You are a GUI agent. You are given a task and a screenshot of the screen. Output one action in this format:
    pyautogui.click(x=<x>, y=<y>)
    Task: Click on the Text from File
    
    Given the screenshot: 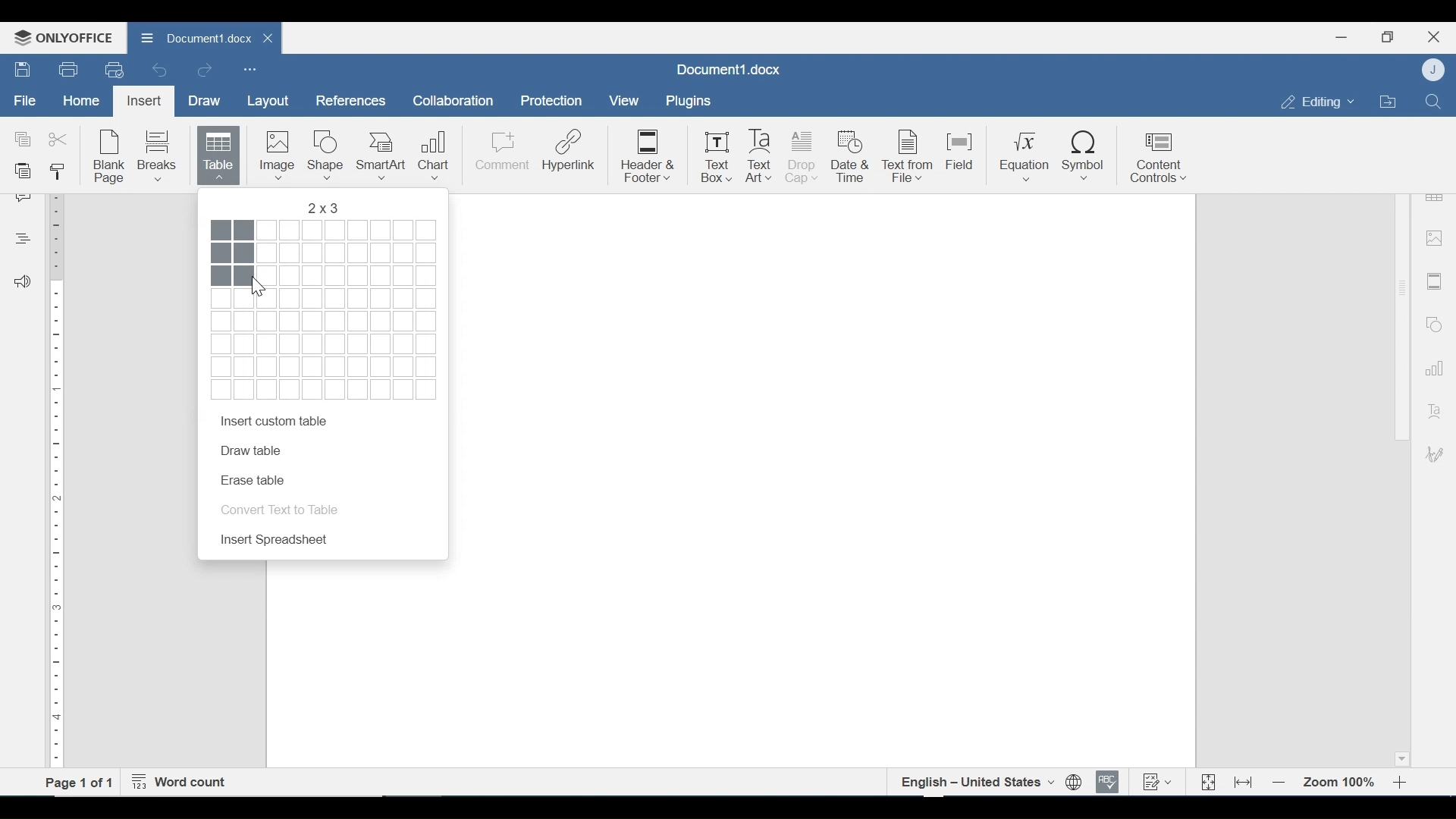 What is the action you would take?
    pyautogui.click(x=909, y=156)
    